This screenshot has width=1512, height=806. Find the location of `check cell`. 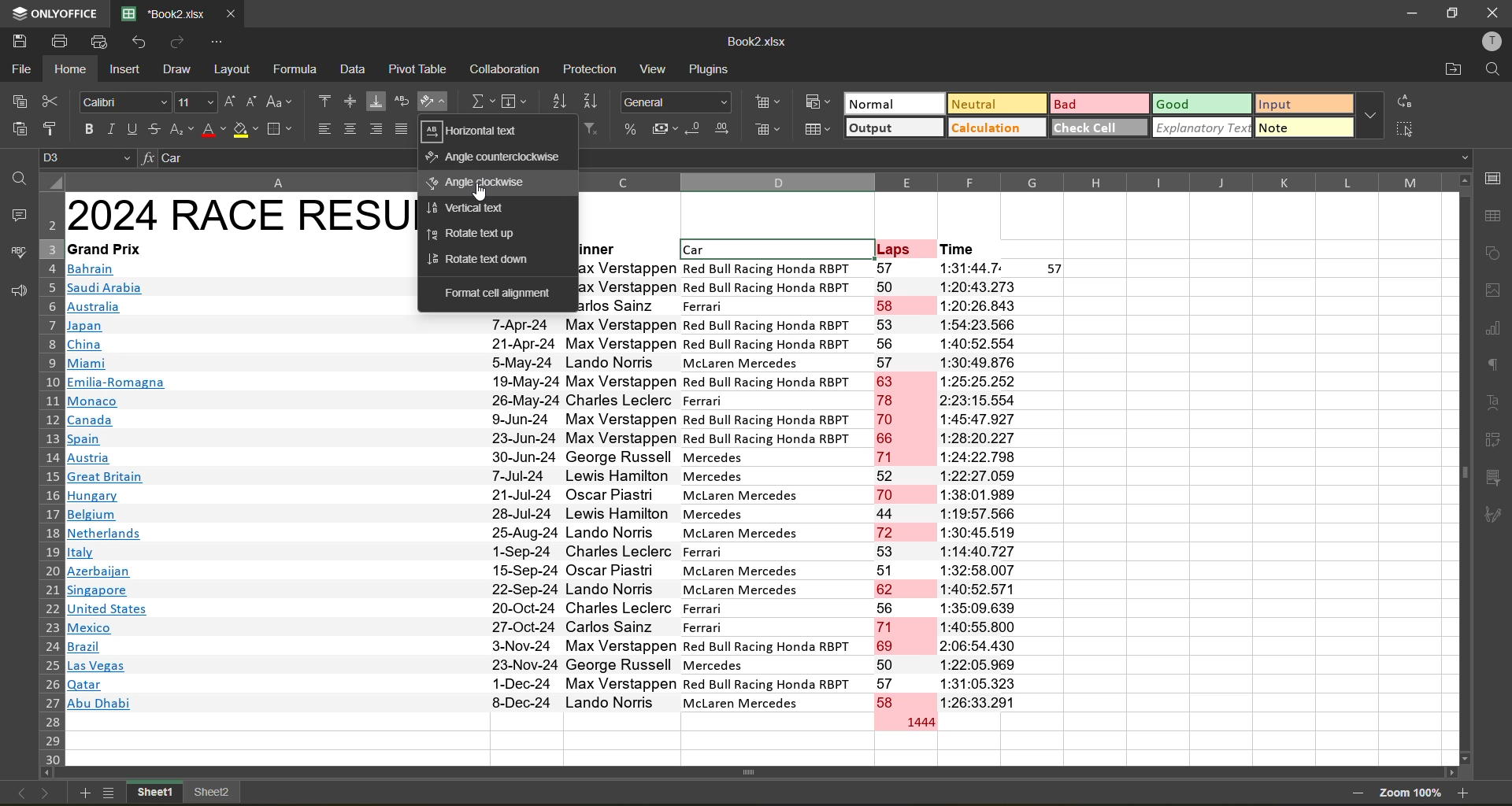

check cell is located at coordinates (1100, 130).